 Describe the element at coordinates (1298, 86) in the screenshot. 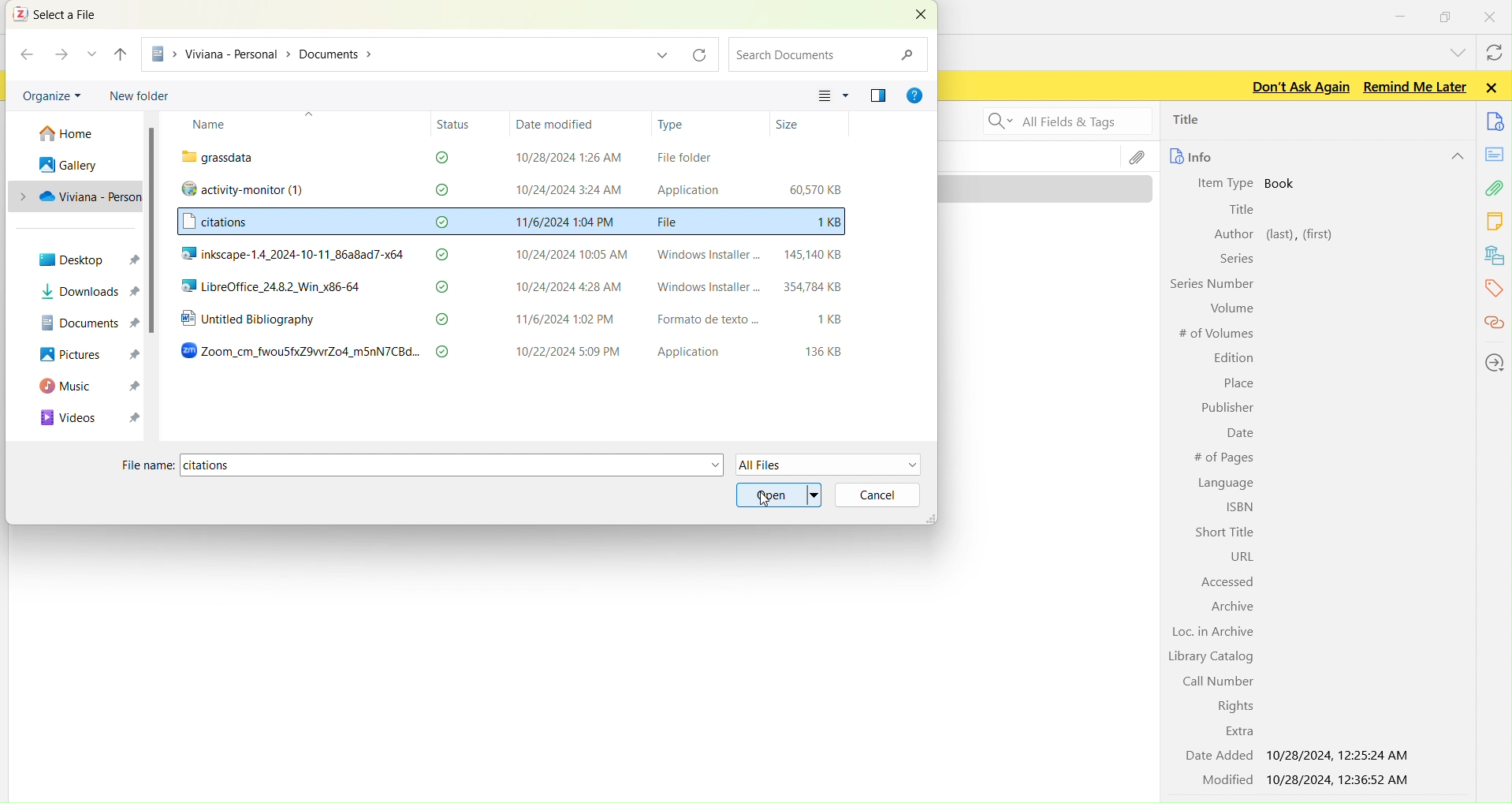

I see `Don't ask again` at that location.